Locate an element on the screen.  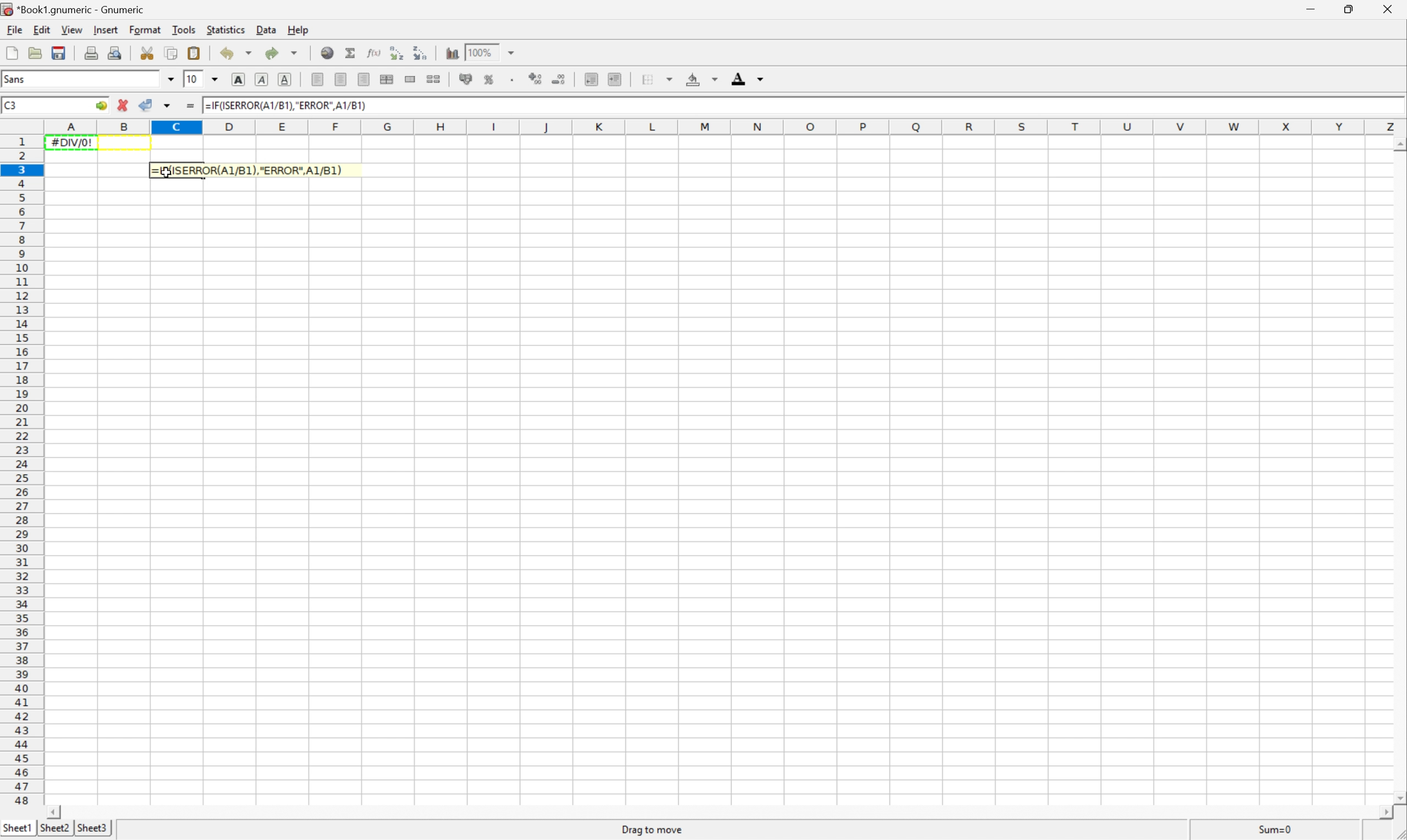
10 is located at coordinates (196, 79).